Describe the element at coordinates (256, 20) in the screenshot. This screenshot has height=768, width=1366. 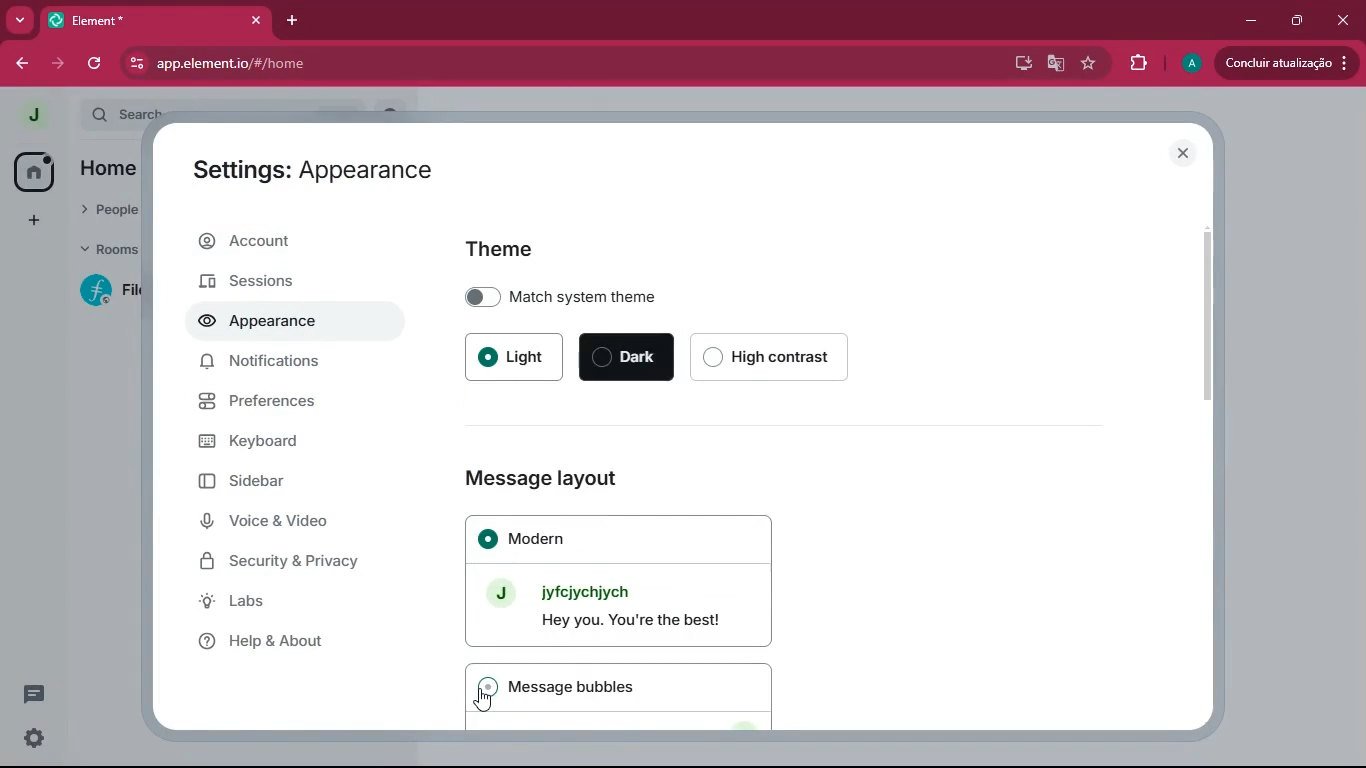
I see `close` at that location.